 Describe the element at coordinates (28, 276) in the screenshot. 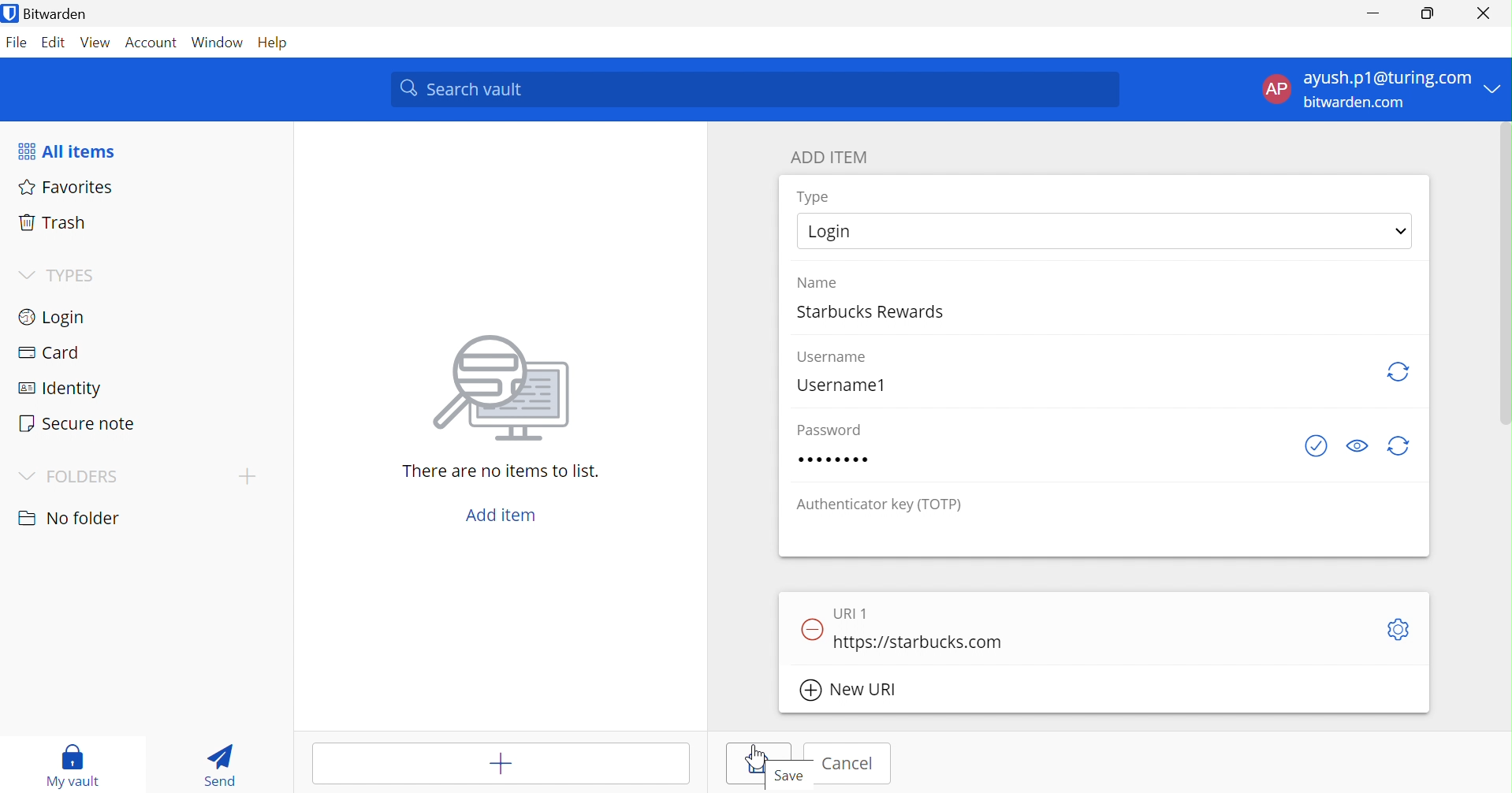

I see `Drop Down` at that location.